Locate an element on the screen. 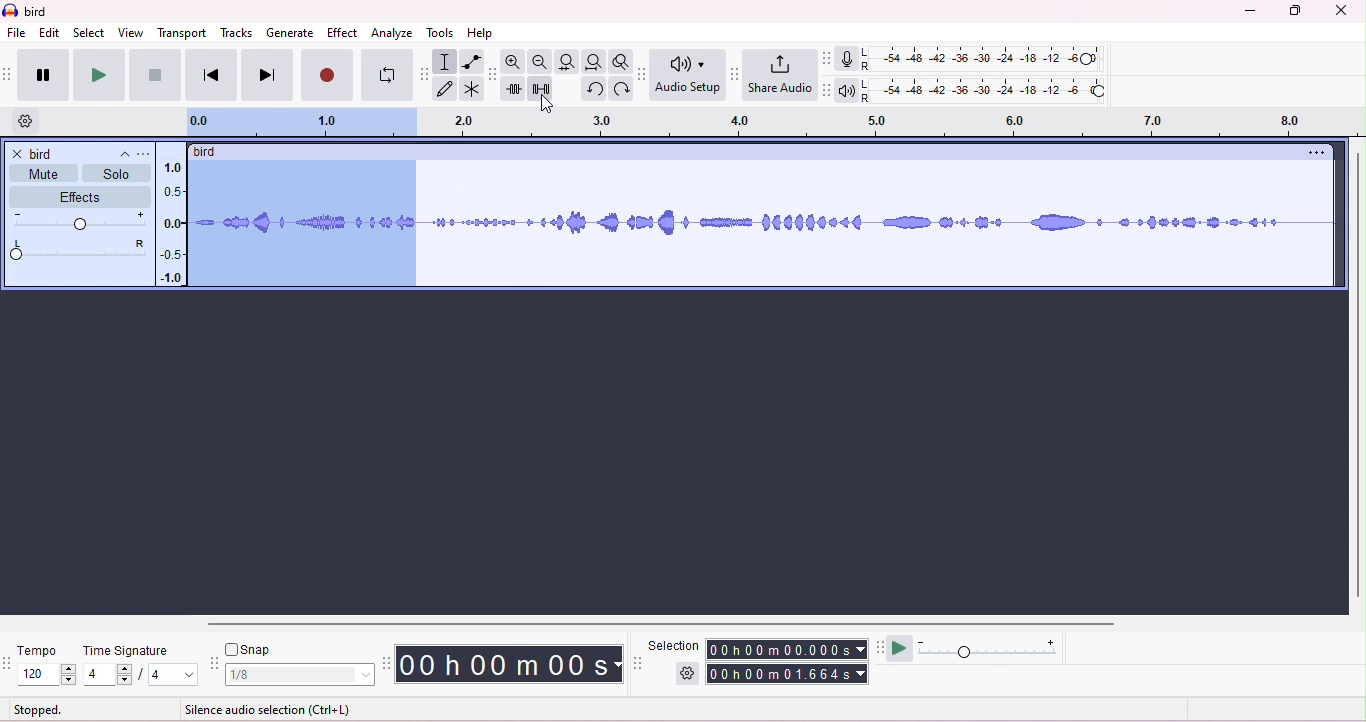  fit selection to width is located at coordinates (567, 62).